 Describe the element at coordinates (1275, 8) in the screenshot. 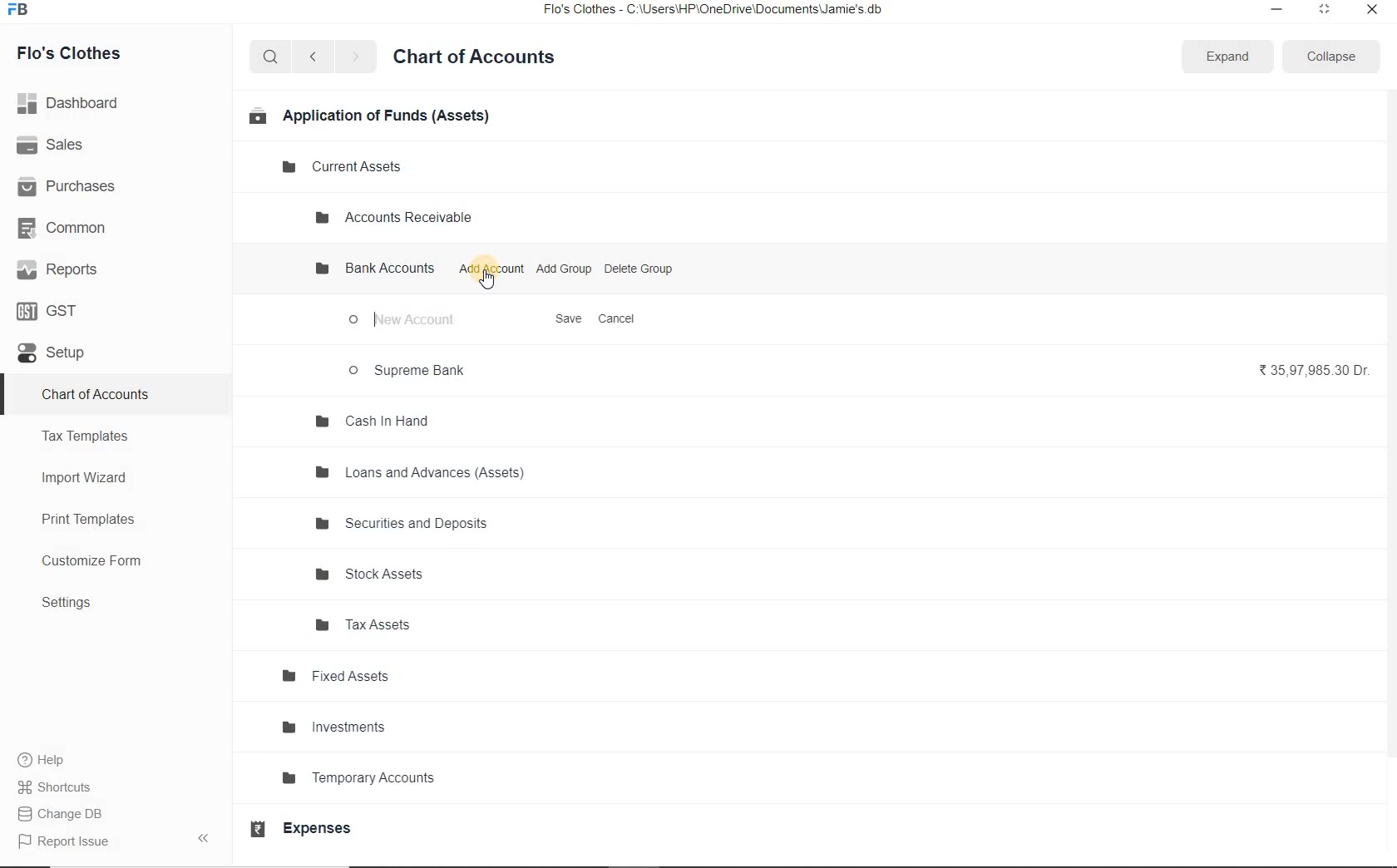

I see `minimize` at that location.